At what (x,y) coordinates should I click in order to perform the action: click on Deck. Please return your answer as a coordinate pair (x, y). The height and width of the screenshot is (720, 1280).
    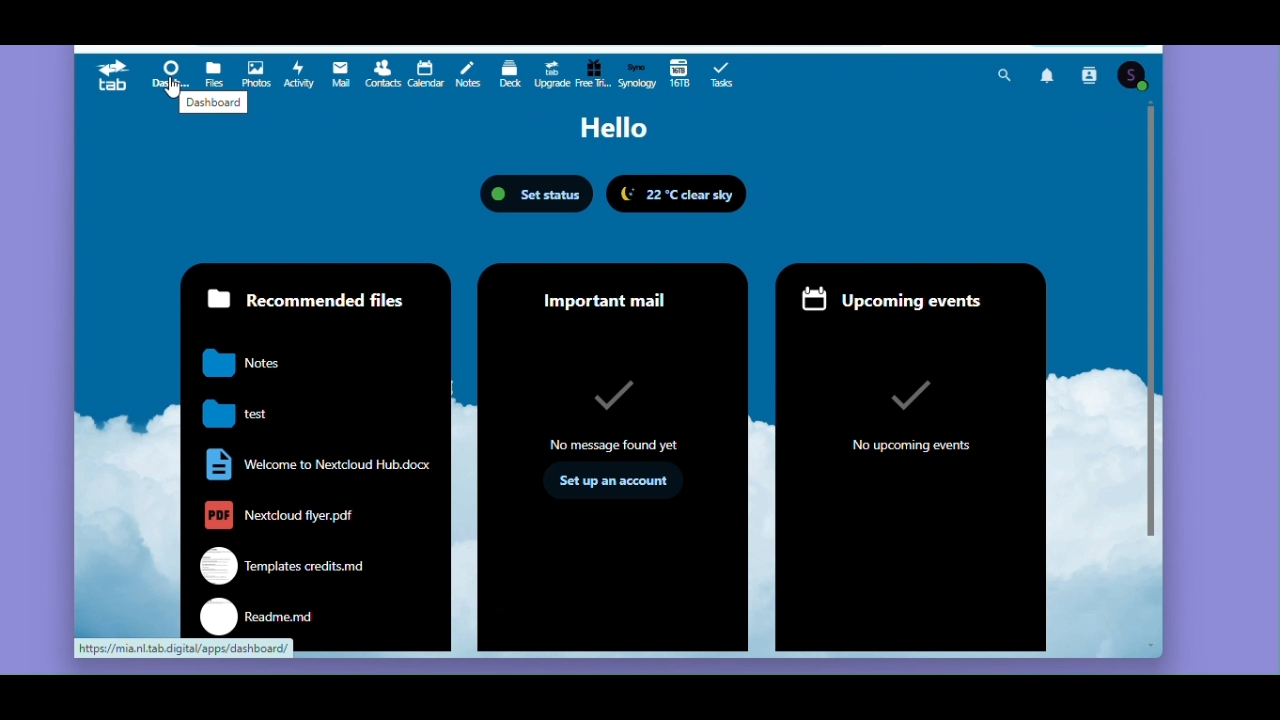
    Looking at the image, I should click on (509, 75).